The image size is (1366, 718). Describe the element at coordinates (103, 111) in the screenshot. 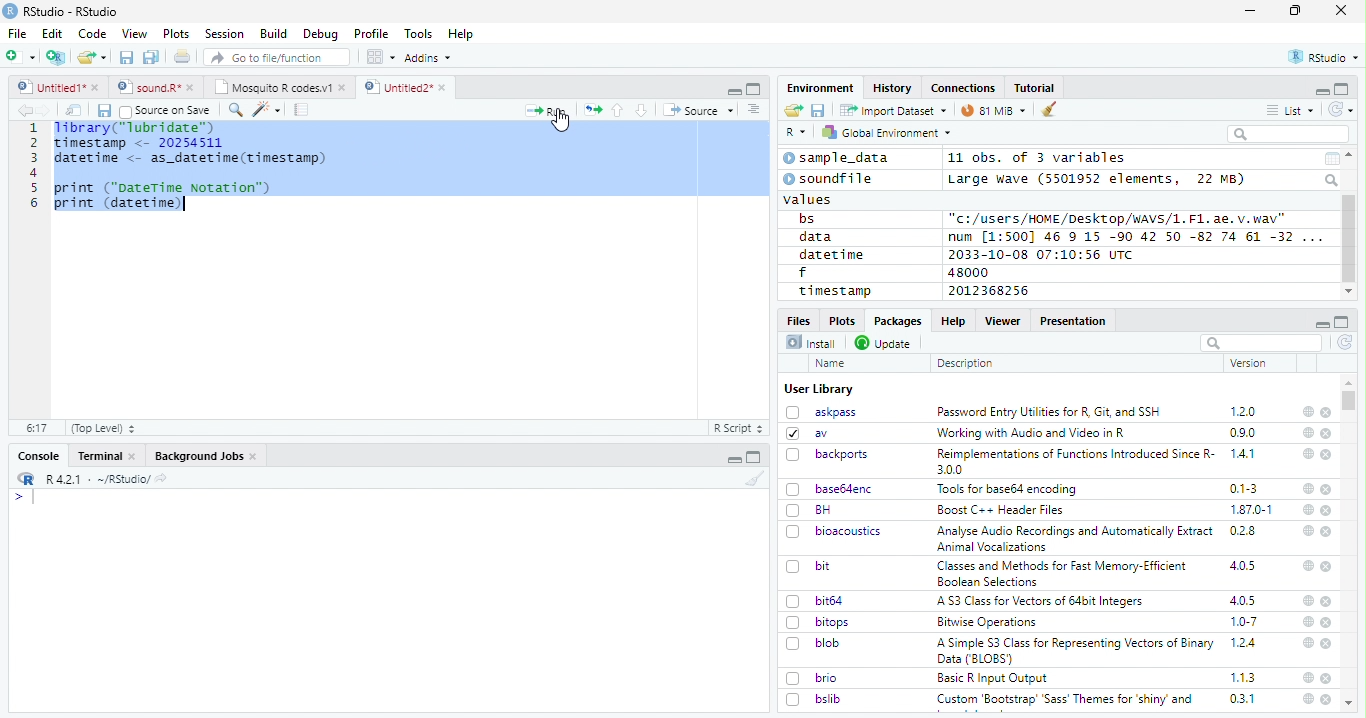

I see `Save` at that location.